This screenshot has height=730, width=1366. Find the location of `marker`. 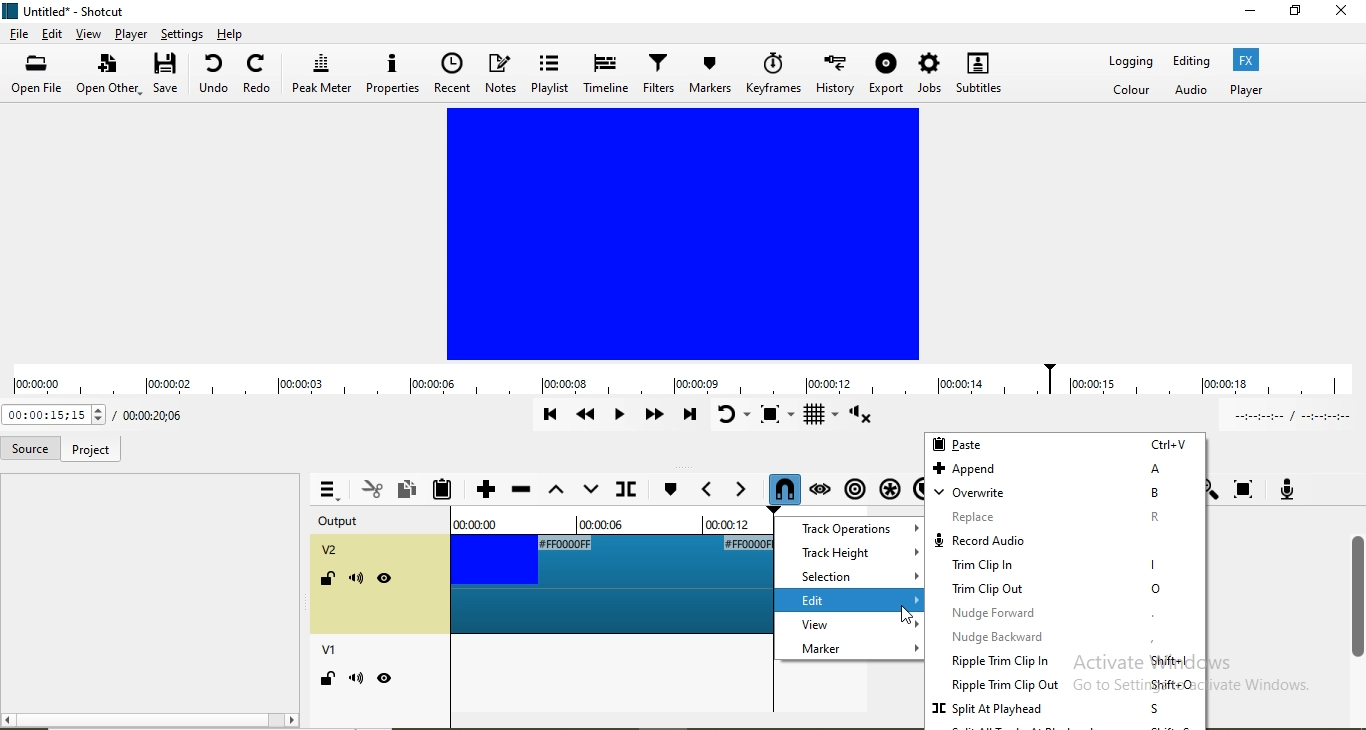

marker is located at coordinates (847, 651).